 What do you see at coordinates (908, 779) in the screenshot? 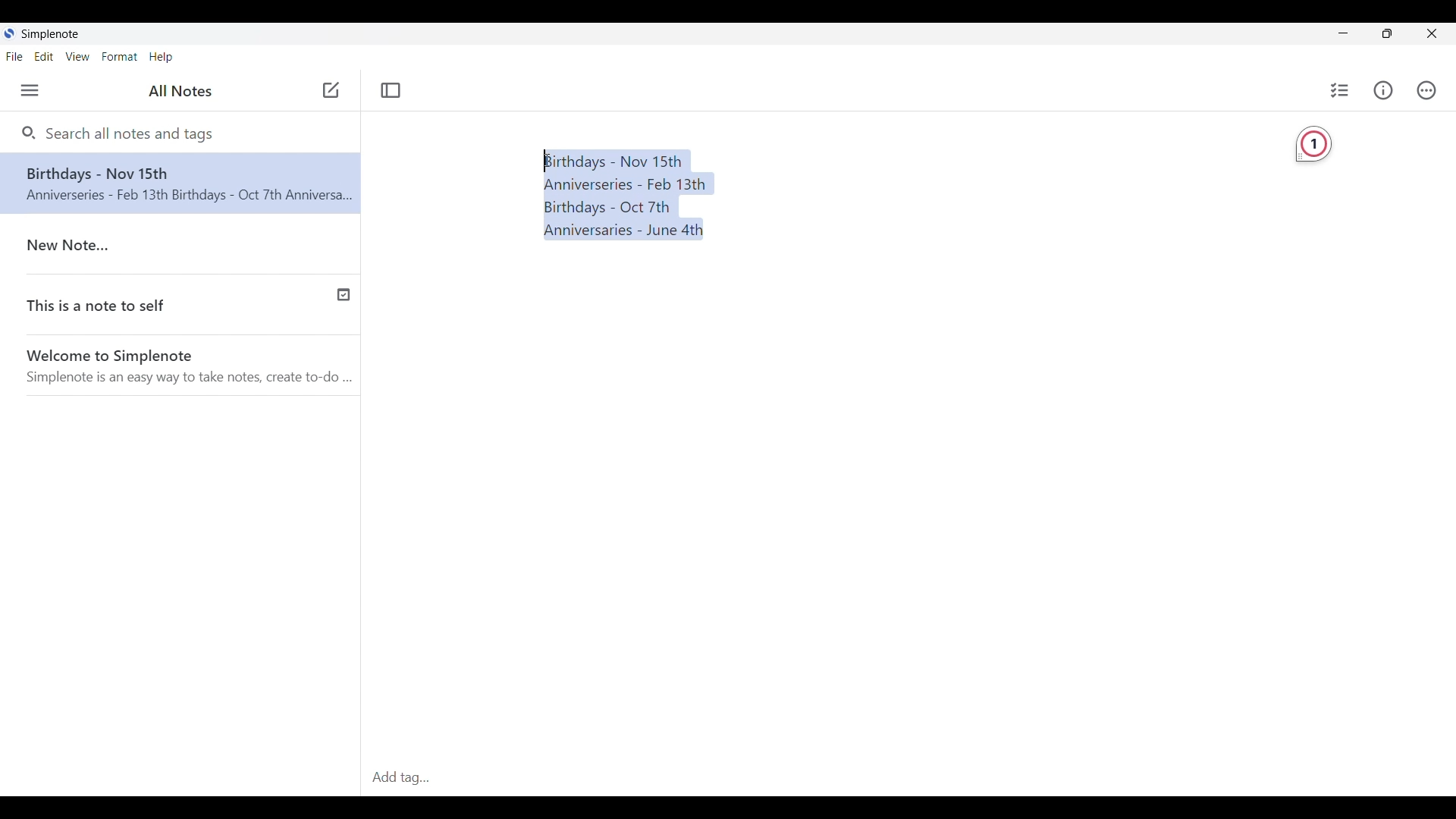
I see `Add Tag(Click to type in tag)` at bounding box center [908, 779].